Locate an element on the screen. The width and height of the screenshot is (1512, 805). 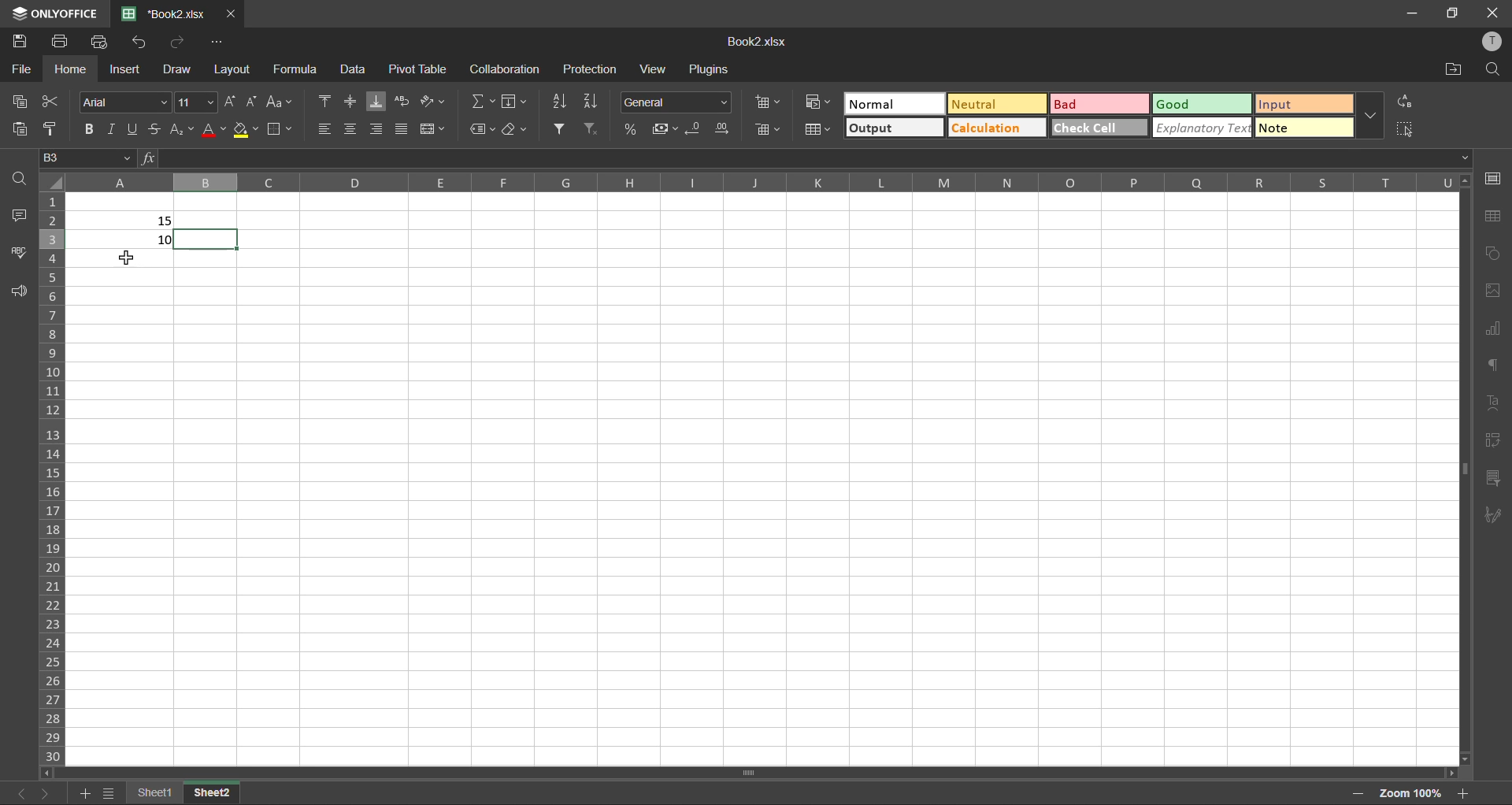
named ranges is located at coordinates (484, 129).